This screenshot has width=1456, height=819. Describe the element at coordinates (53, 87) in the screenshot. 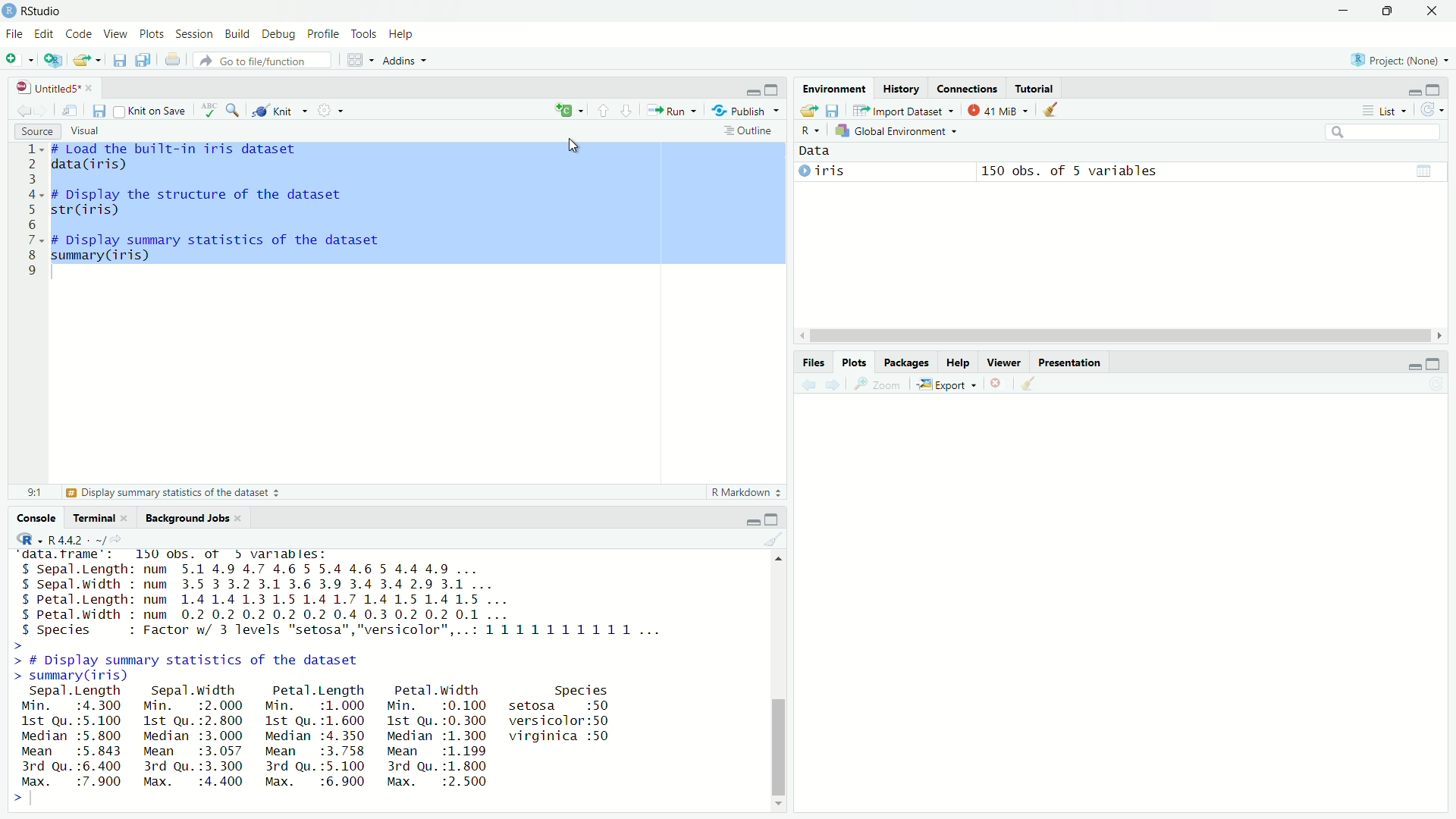

I see `Untitled5*` at that location.